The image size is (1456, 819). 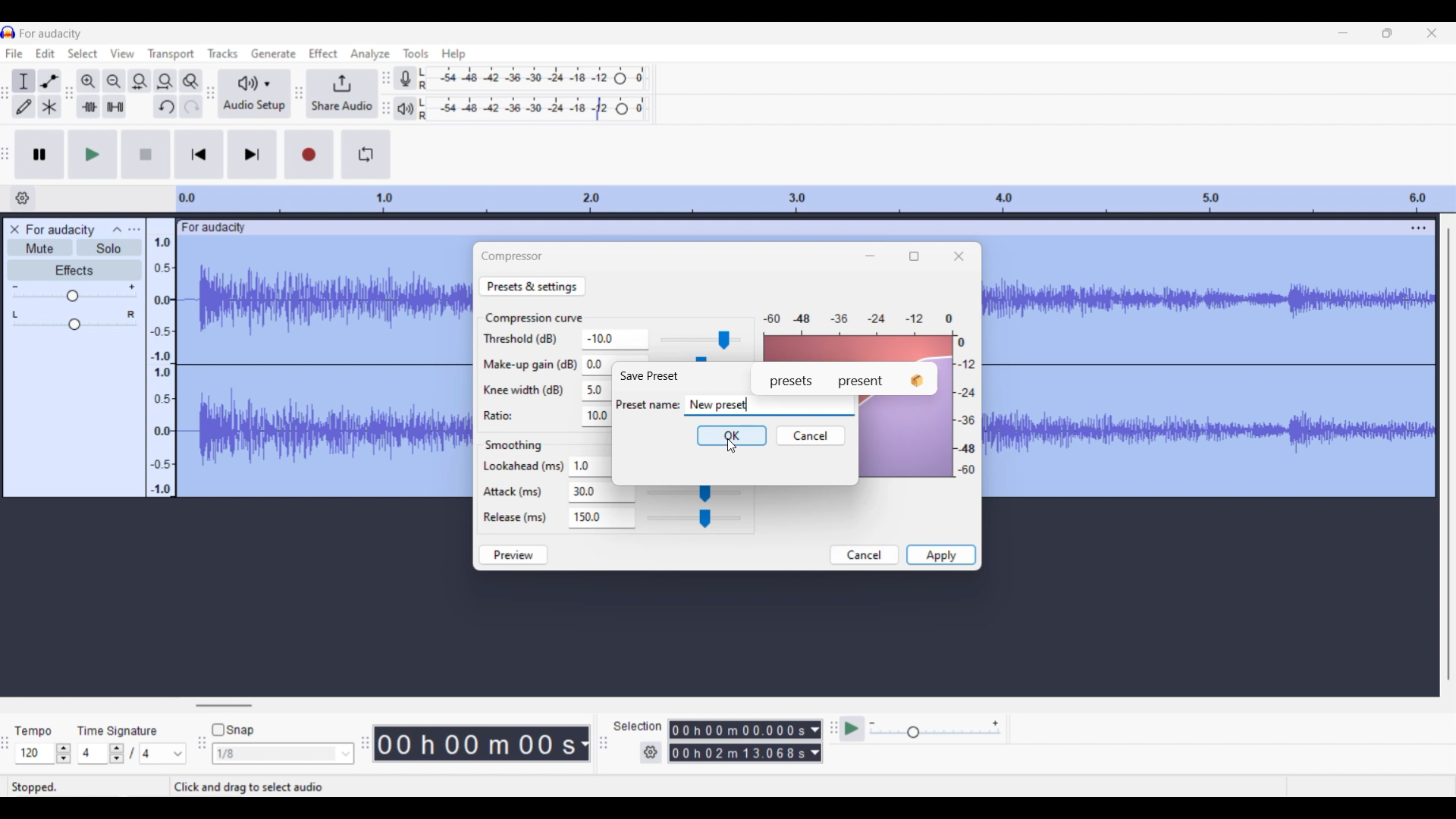 I want to click on Cursor clicking on OK, so click(x=731, y=445).